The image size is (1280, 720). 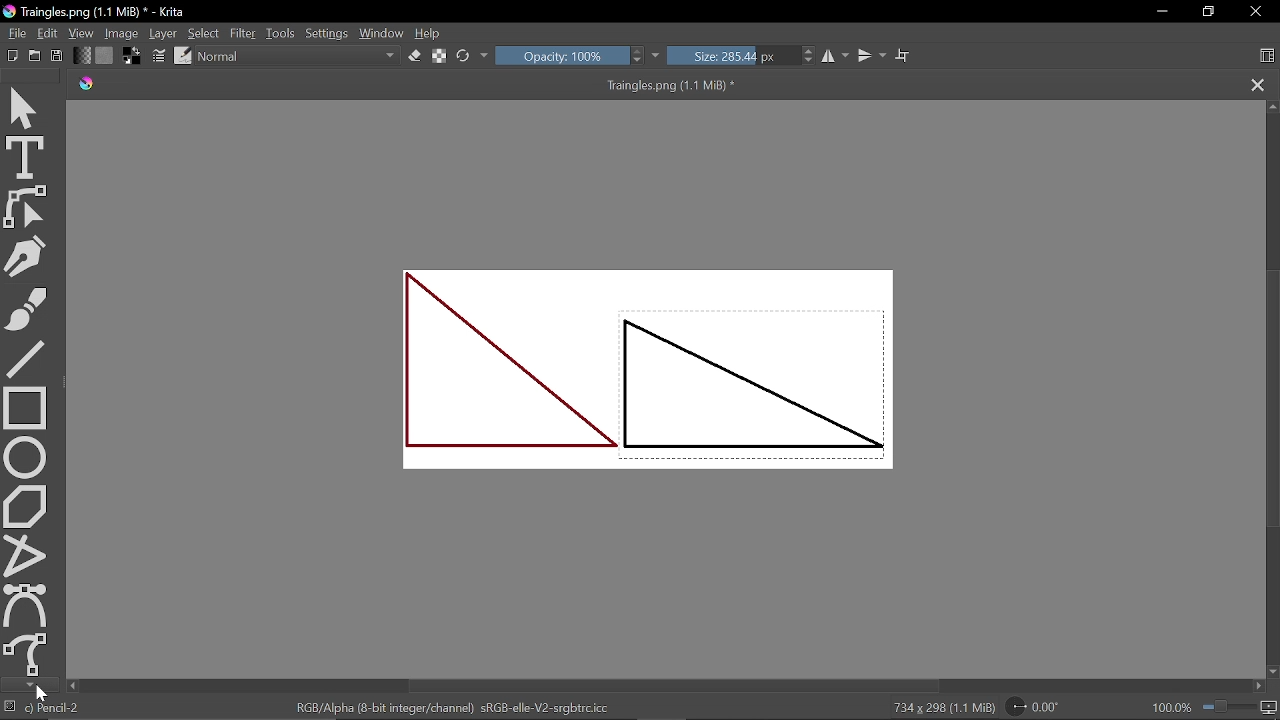 I want to click on Horizontal mirror, so click(x=836, y=56).